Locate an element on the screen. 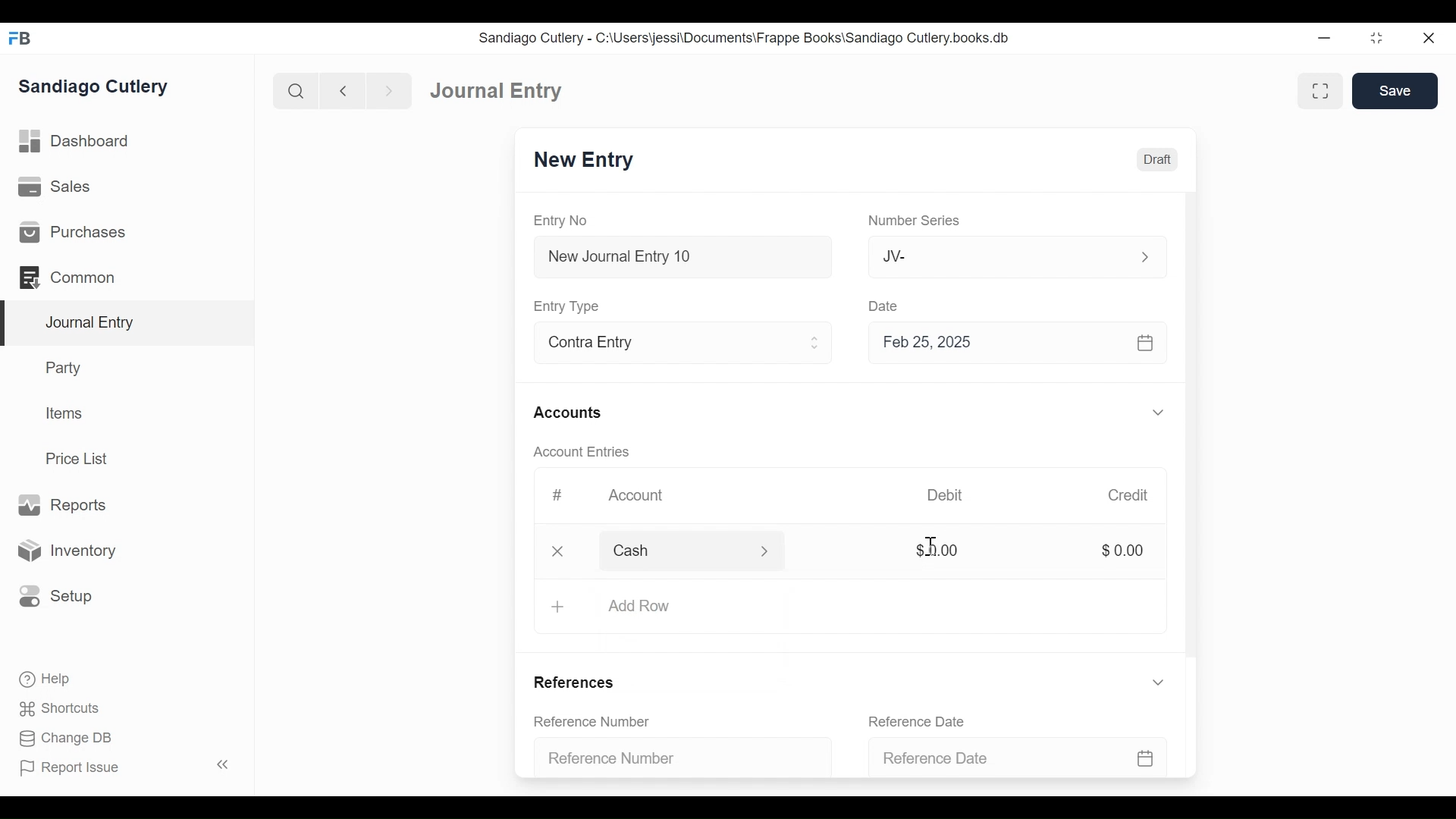 The width and height of the screenshot is (1456, 819). Minimize is located at coordinates (1326, 39).